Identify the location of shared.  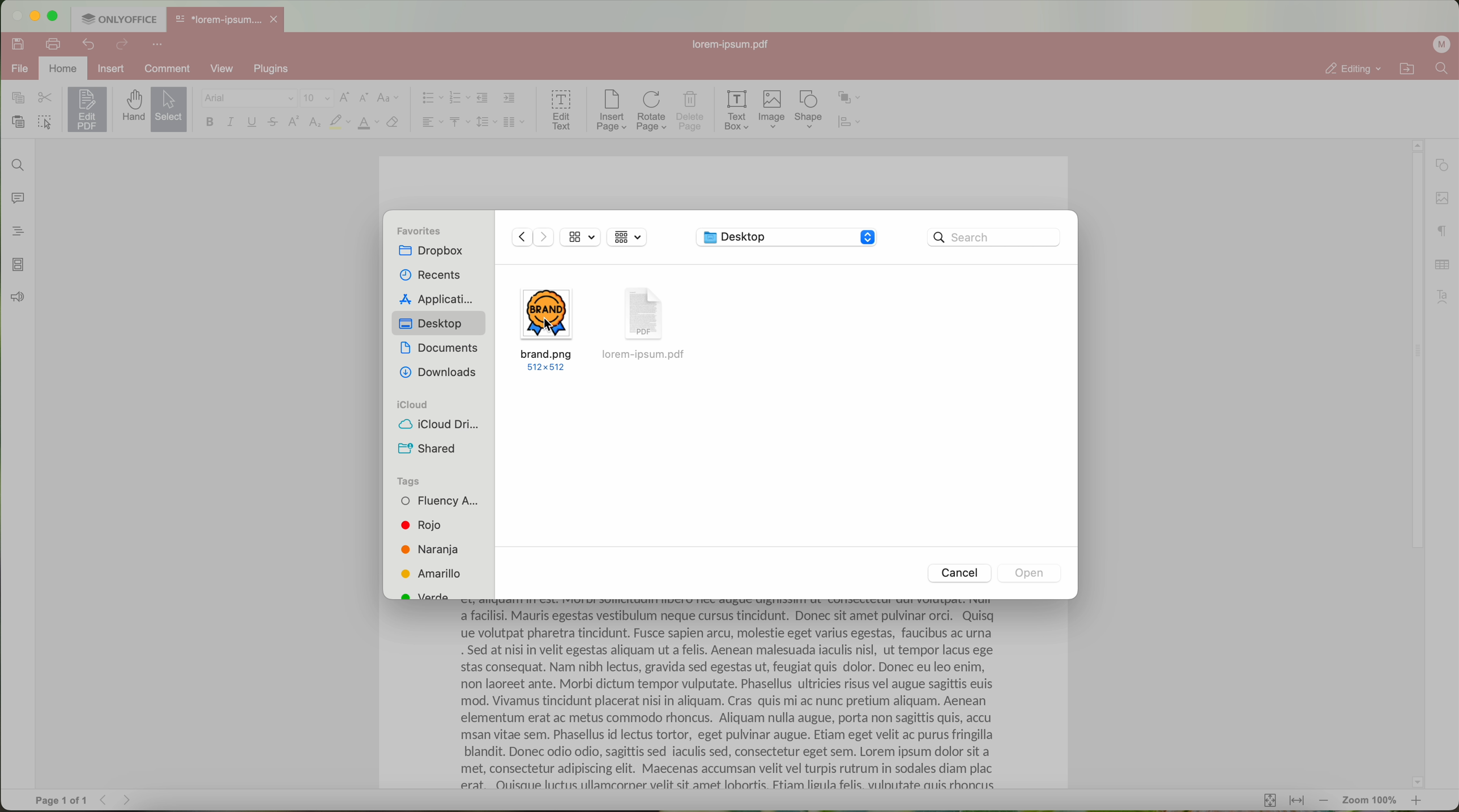
(428, 448).